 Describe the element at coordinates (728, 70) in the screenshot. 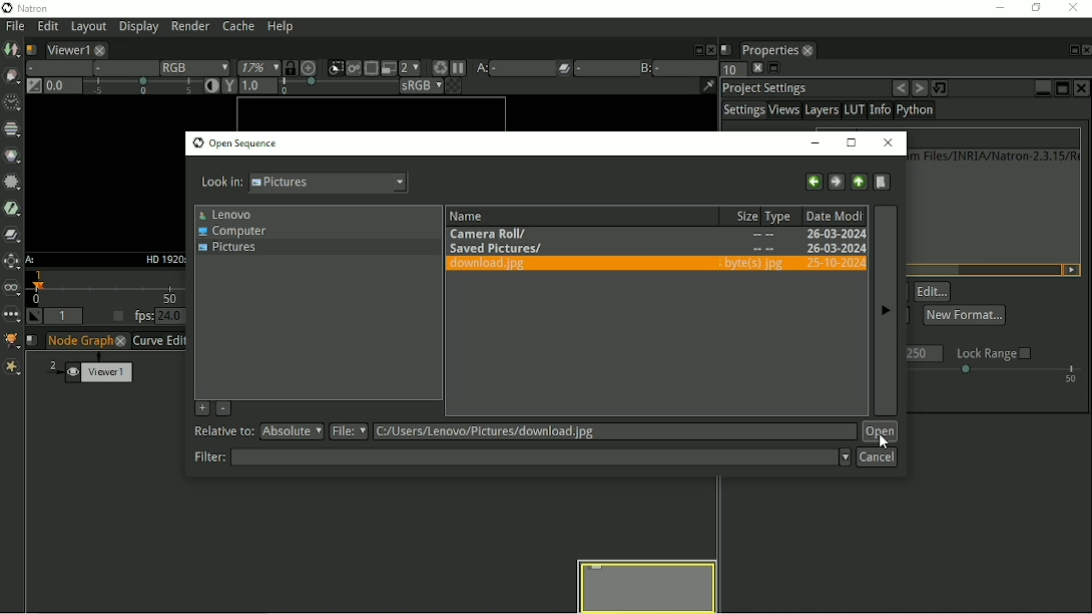

I see `Maximum number of panels` at that location.